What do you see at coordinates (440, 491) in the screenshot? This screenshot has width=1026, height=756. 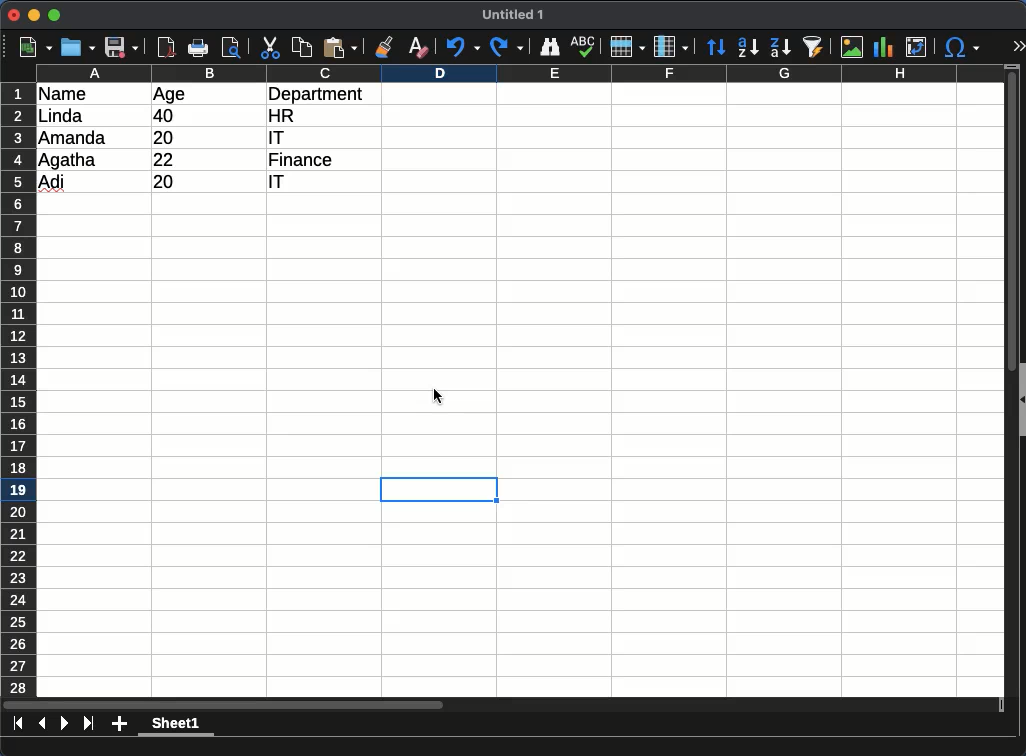 I see `selected cell` at bounding box center [440, 491].